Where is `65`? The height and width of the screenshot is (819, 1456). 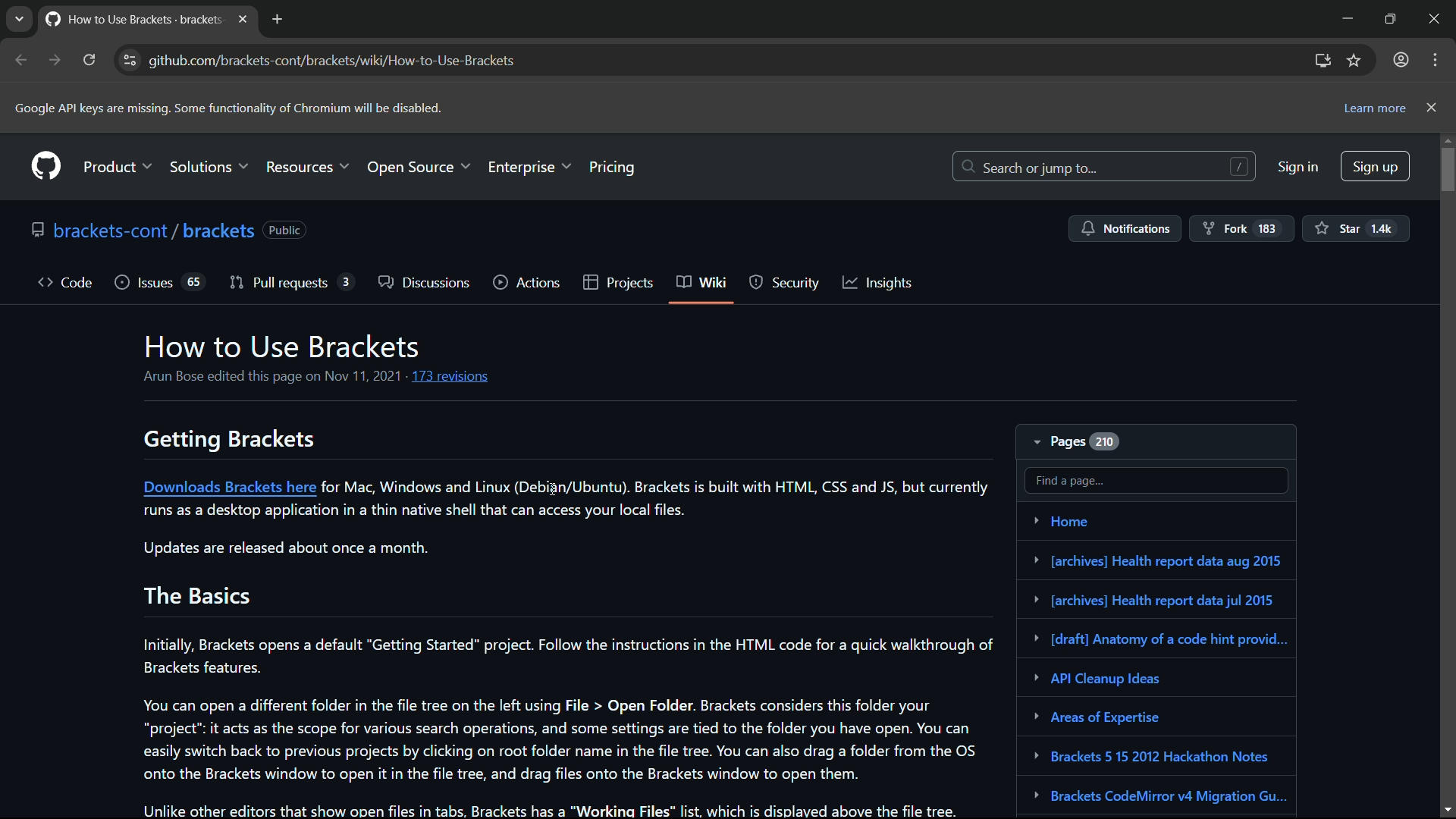
65 is located at coordinates (194, 281).